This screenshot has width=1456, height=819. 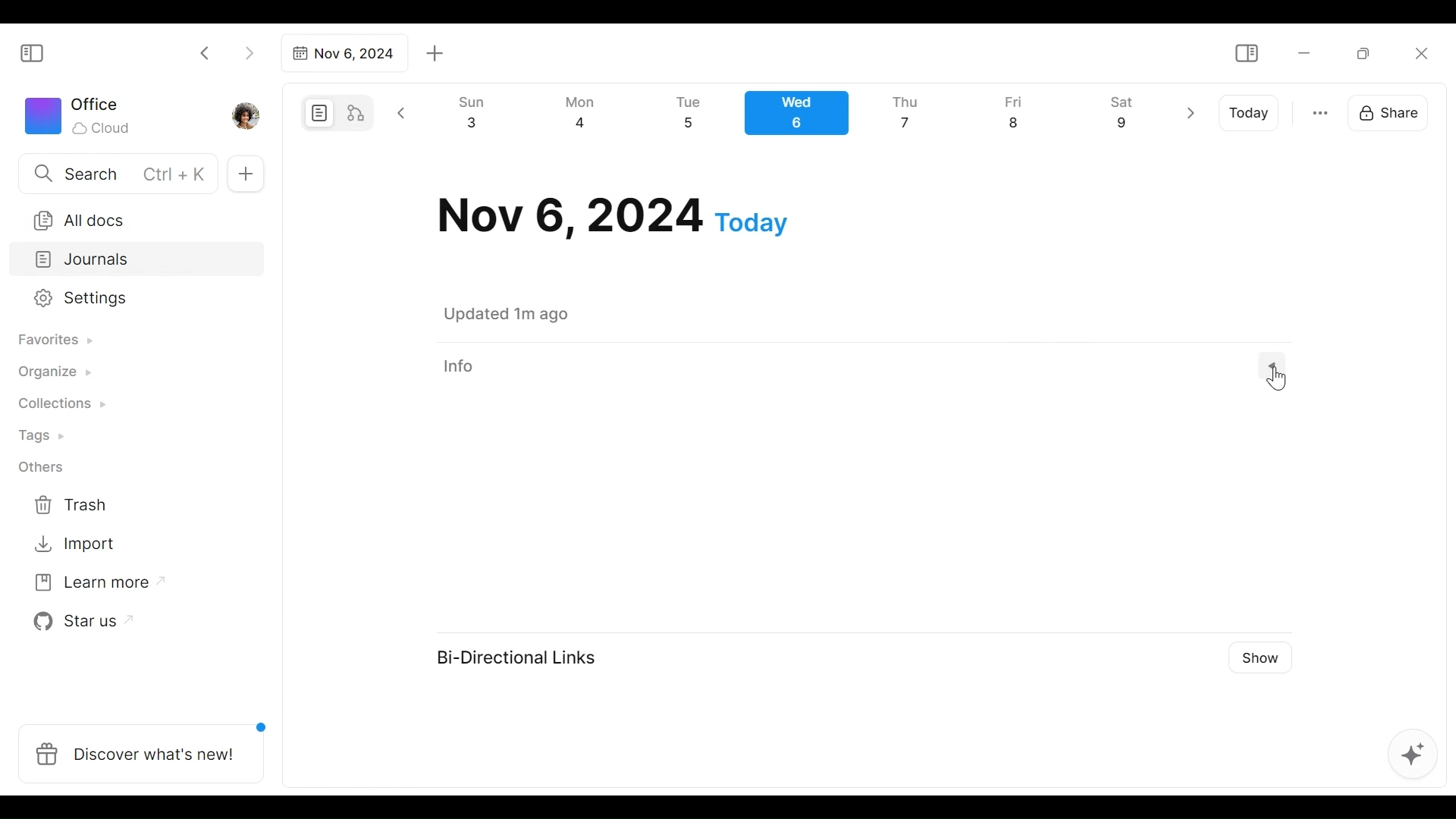 I want to click on Others, so click(x=42, y=467).